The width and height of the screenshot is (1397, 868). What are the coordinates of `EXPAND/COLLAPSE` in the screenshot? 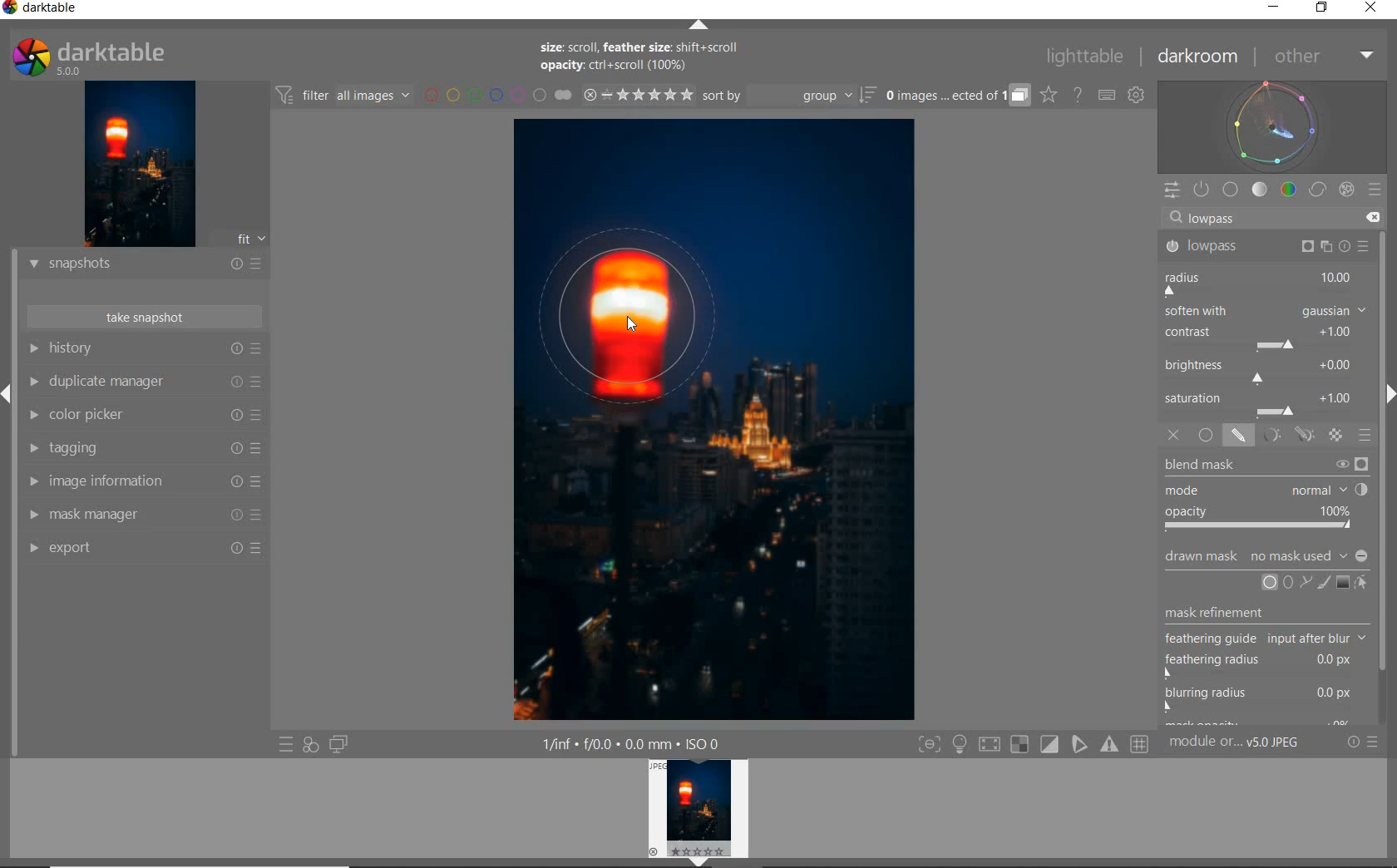 It's located at (8, 391).